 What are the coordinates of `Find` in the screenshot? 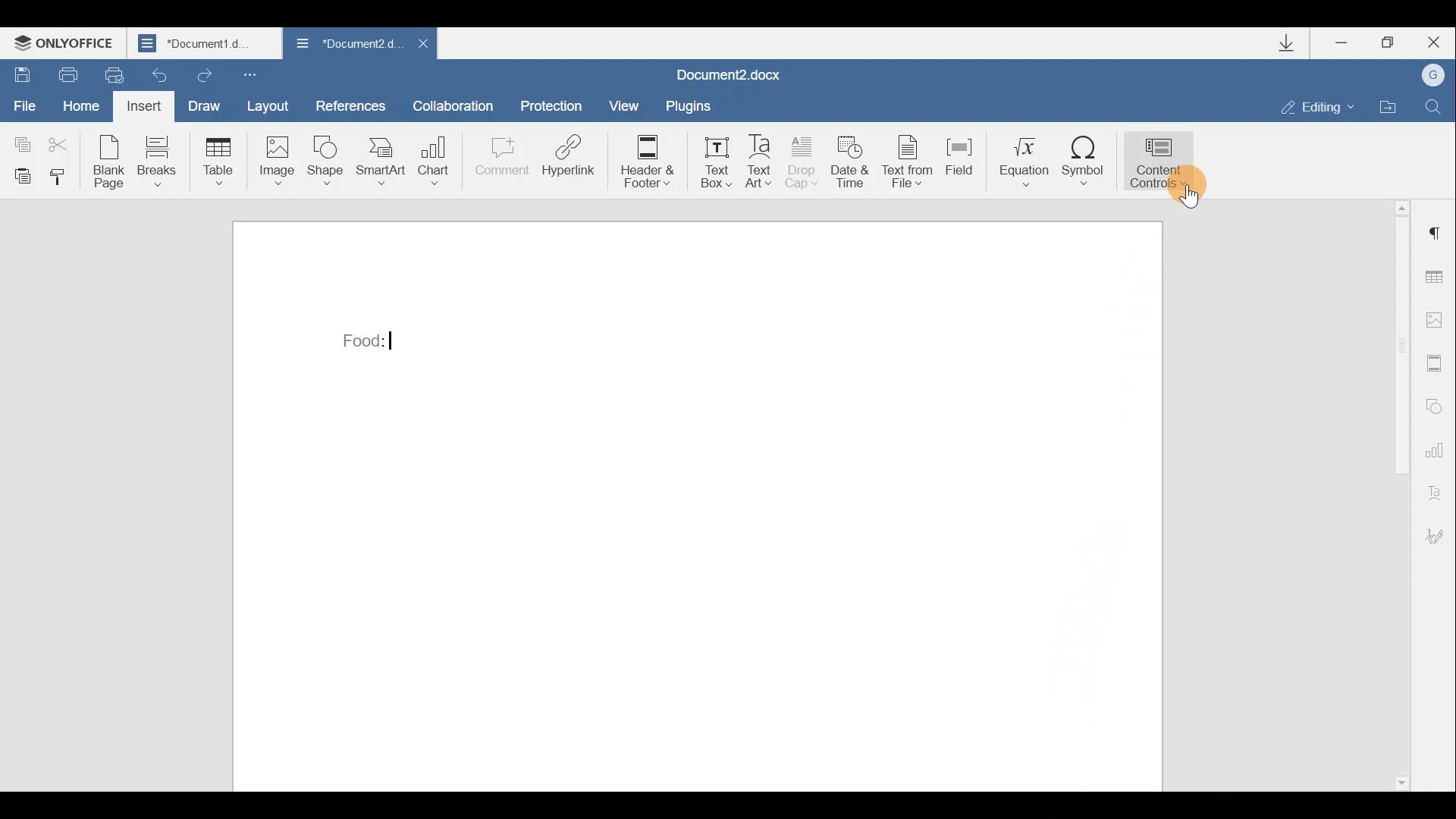 It's located at (1434, 106).